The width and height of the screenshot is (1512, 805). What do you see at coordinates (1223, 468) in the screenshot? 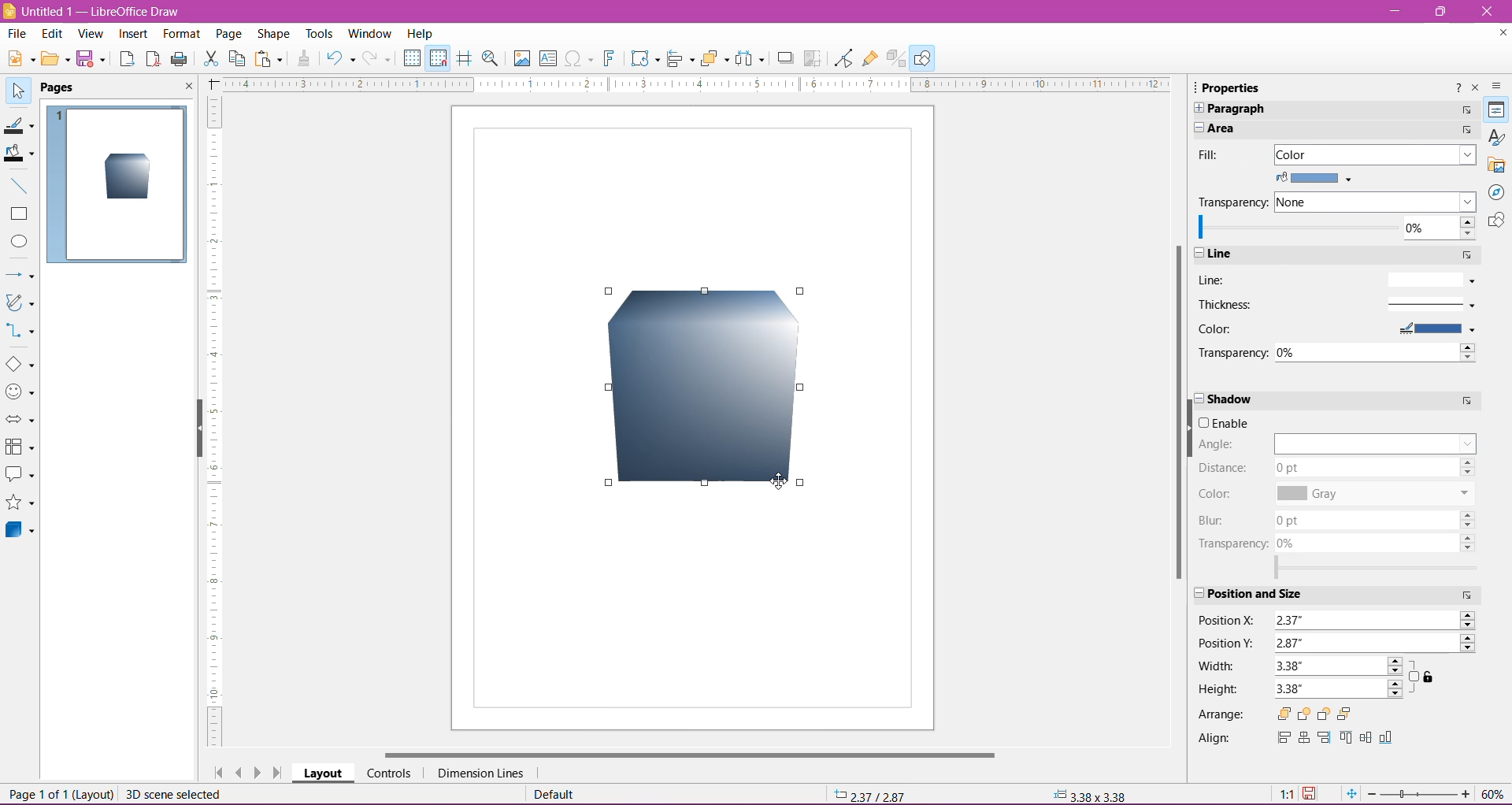
I see `Distance` at bounding box center [1223, 468].